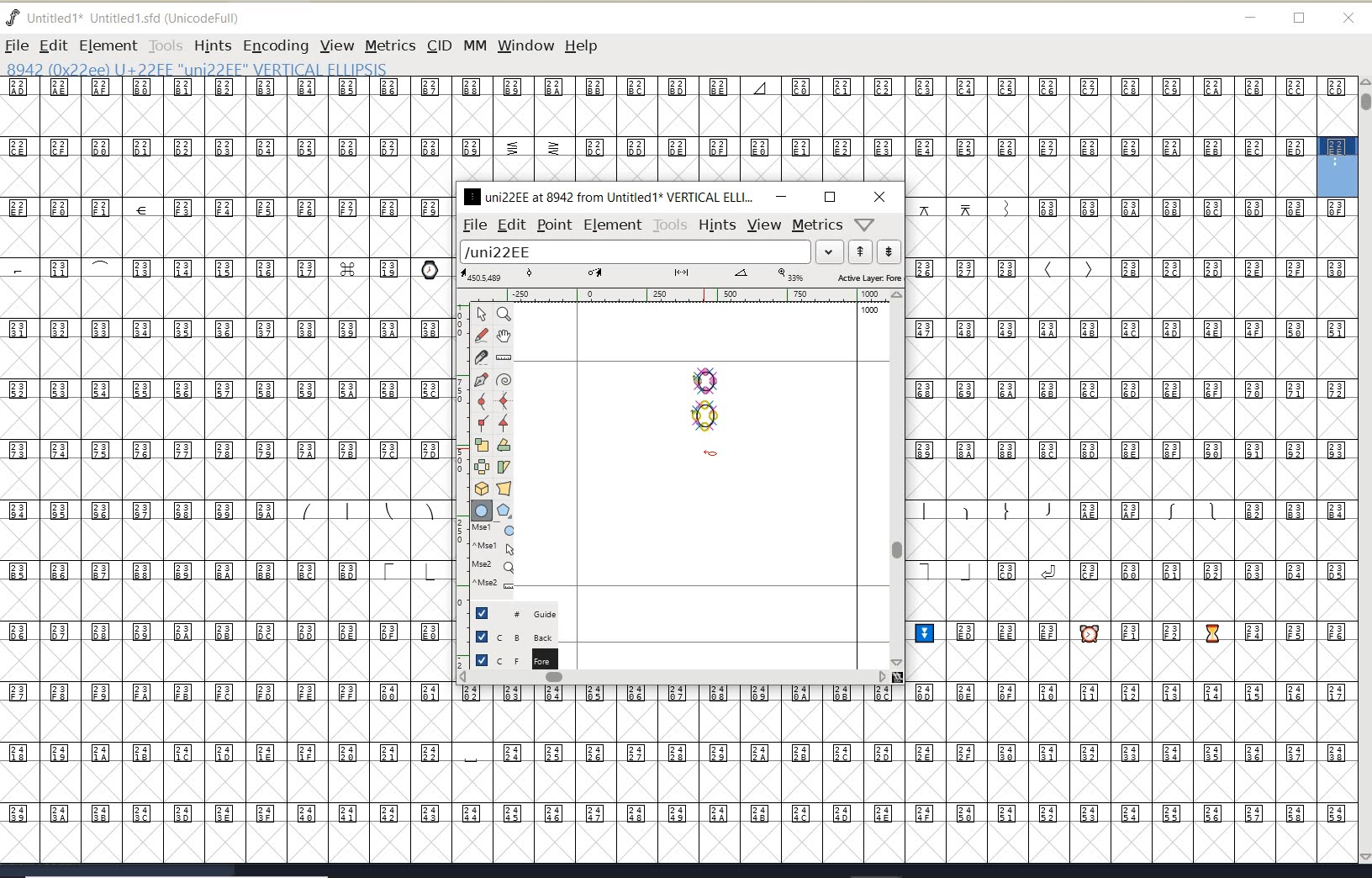 The height and width of the screenshot is (878, 1372). What do you see at coordinates (485, 401) in the screenshot?
I see `add a curve point` at bounding box center [485, 401].